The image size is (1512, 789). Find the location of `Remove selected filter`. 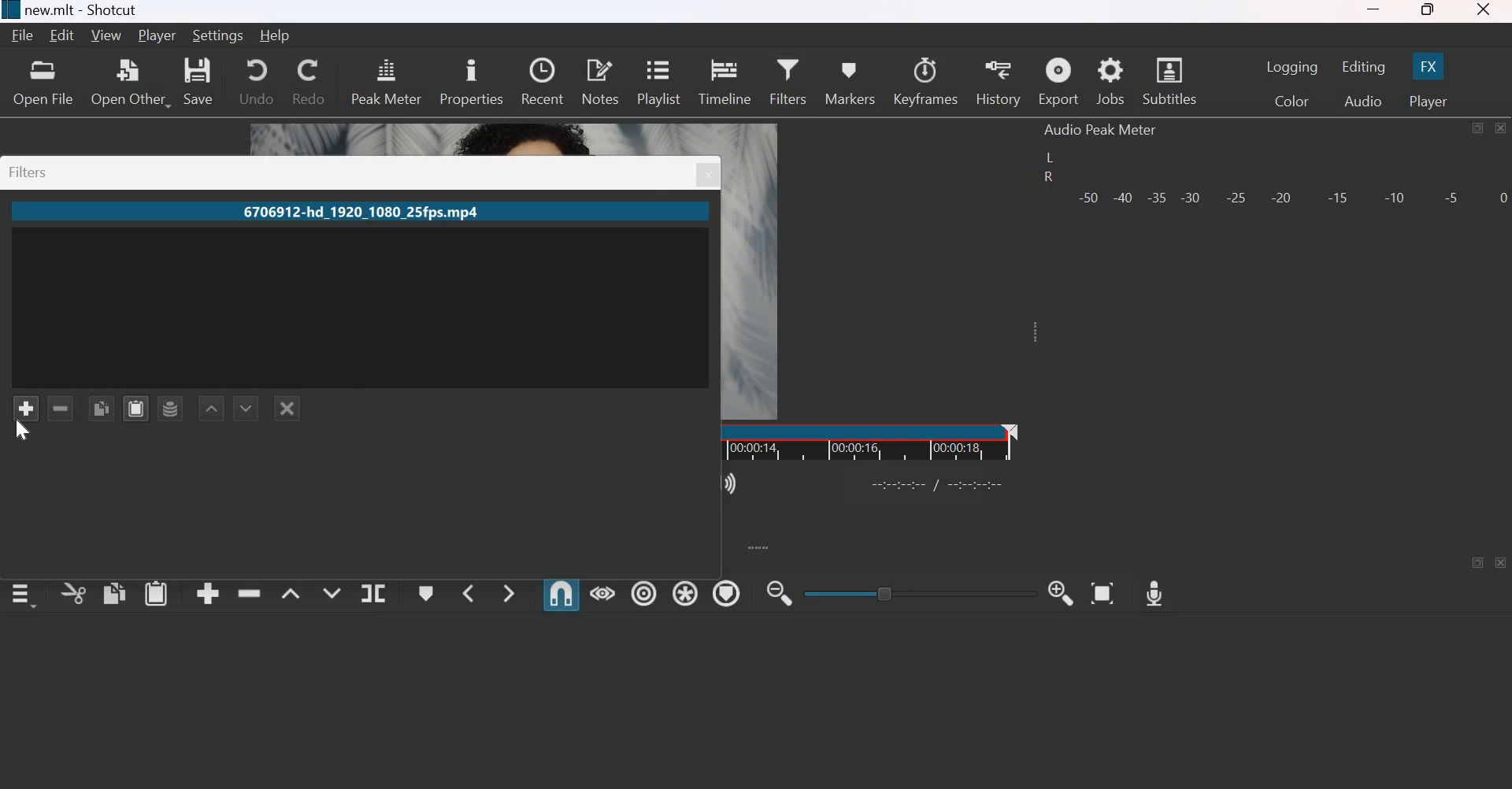

Remove selected filter is located at coordinates (62, 409).